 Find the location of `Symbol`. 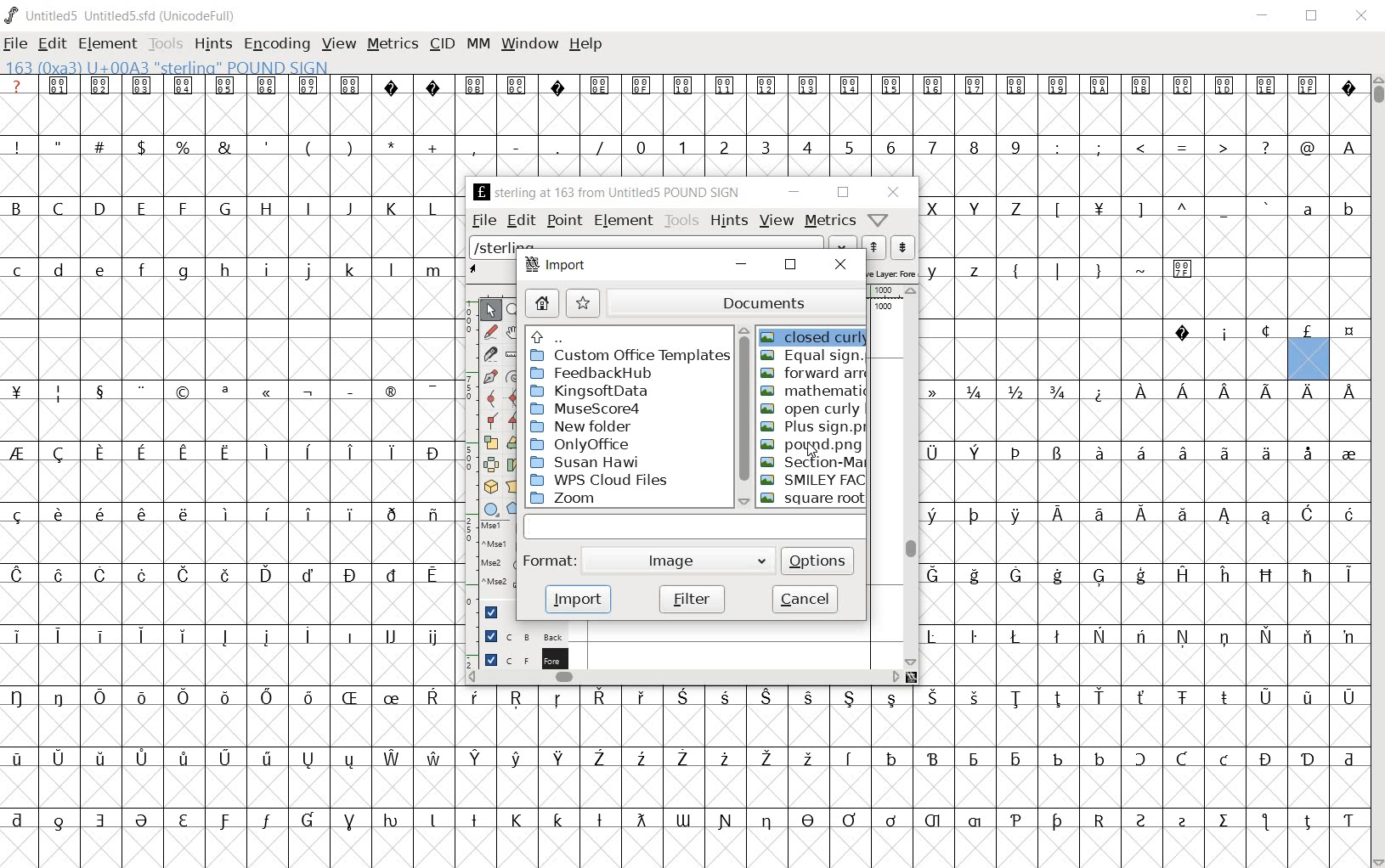

Symbol is located at coordinates (891, 699).